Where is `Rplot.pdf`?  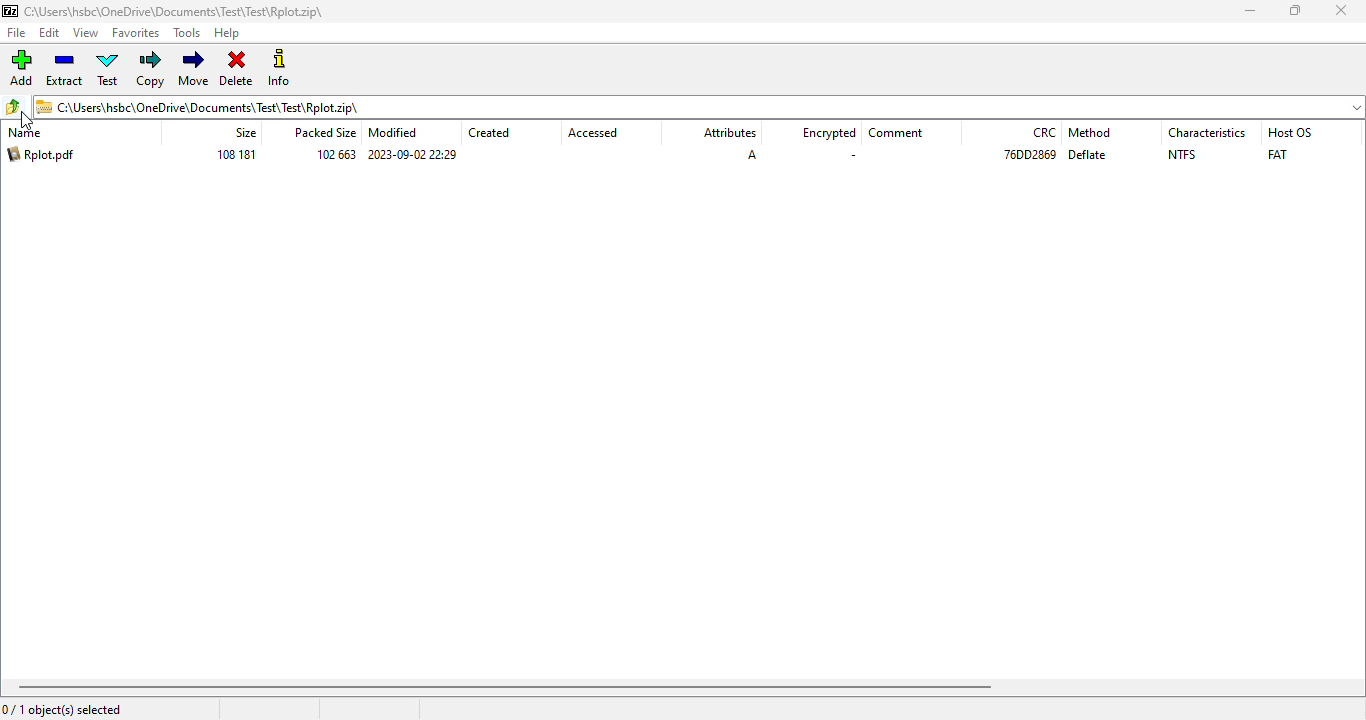
Rplot.pdf is located at coordinates (41, 154).